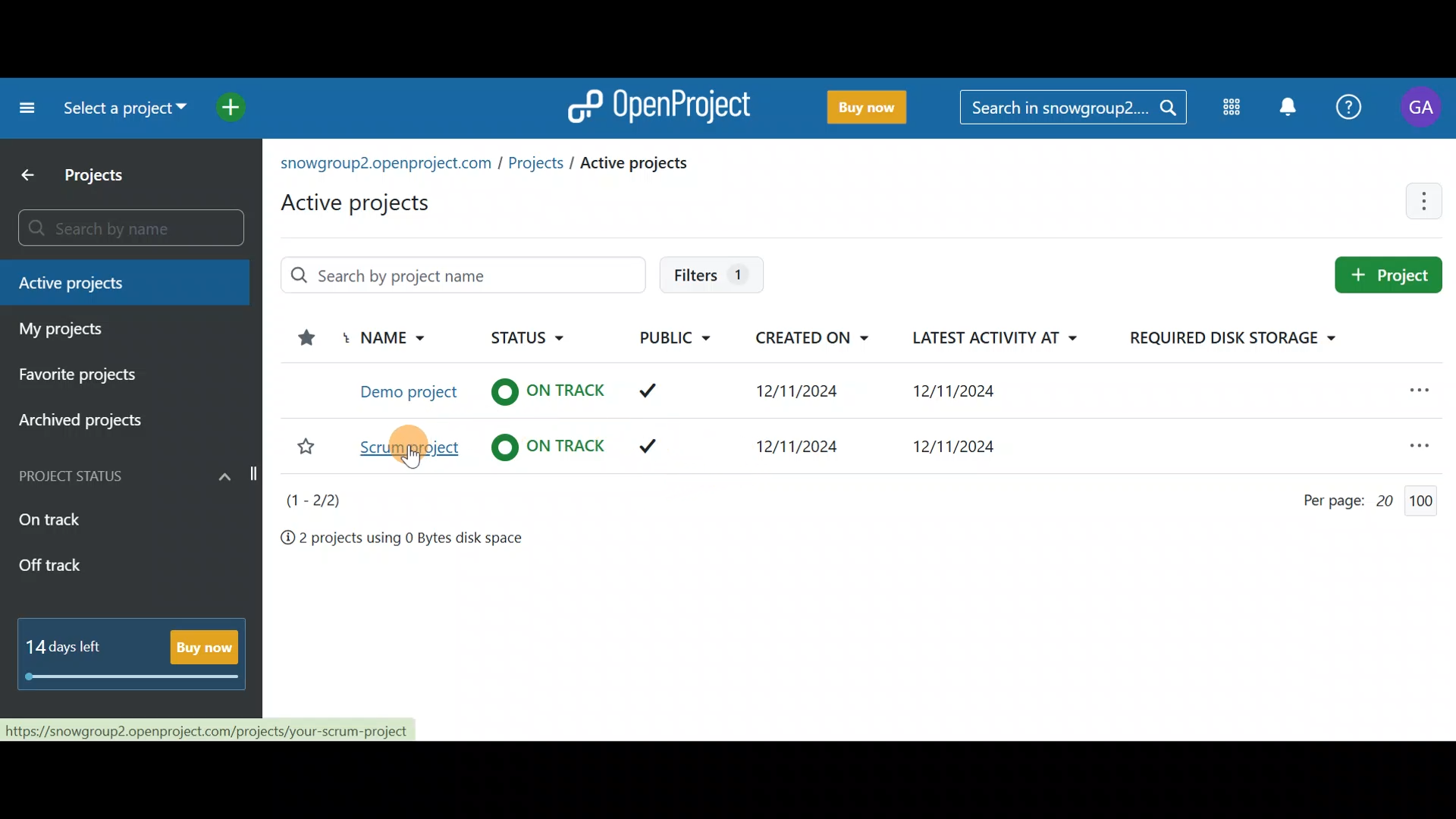 The width and height of the screenshot is (1456, 819). Describe the element at coordinates (324, 500) in the screenshot. I see `Page number` at that location.